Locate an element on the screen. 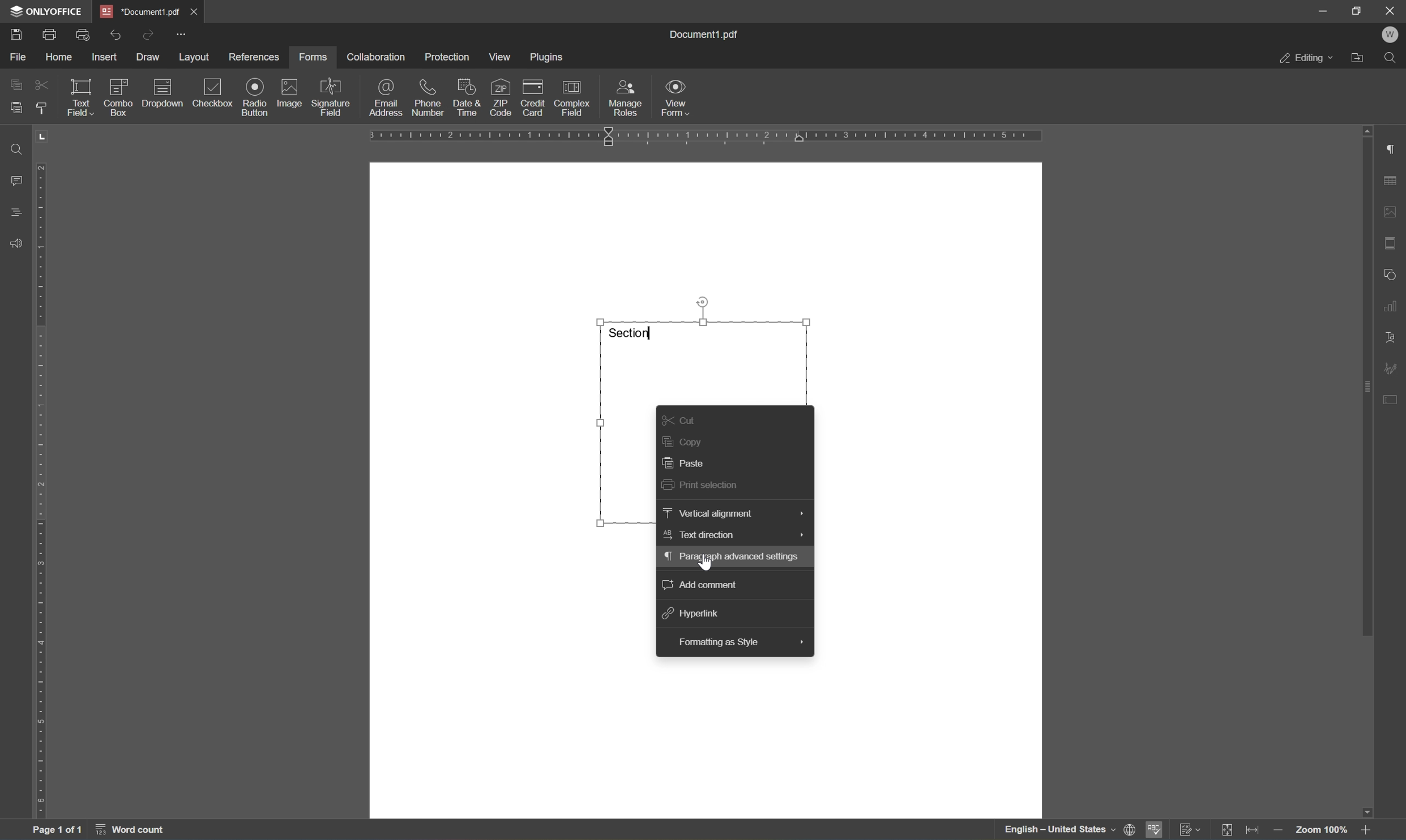 The height and width of the screenshot is (840, 1406). signature settings is located at coordinates (1394, 368).